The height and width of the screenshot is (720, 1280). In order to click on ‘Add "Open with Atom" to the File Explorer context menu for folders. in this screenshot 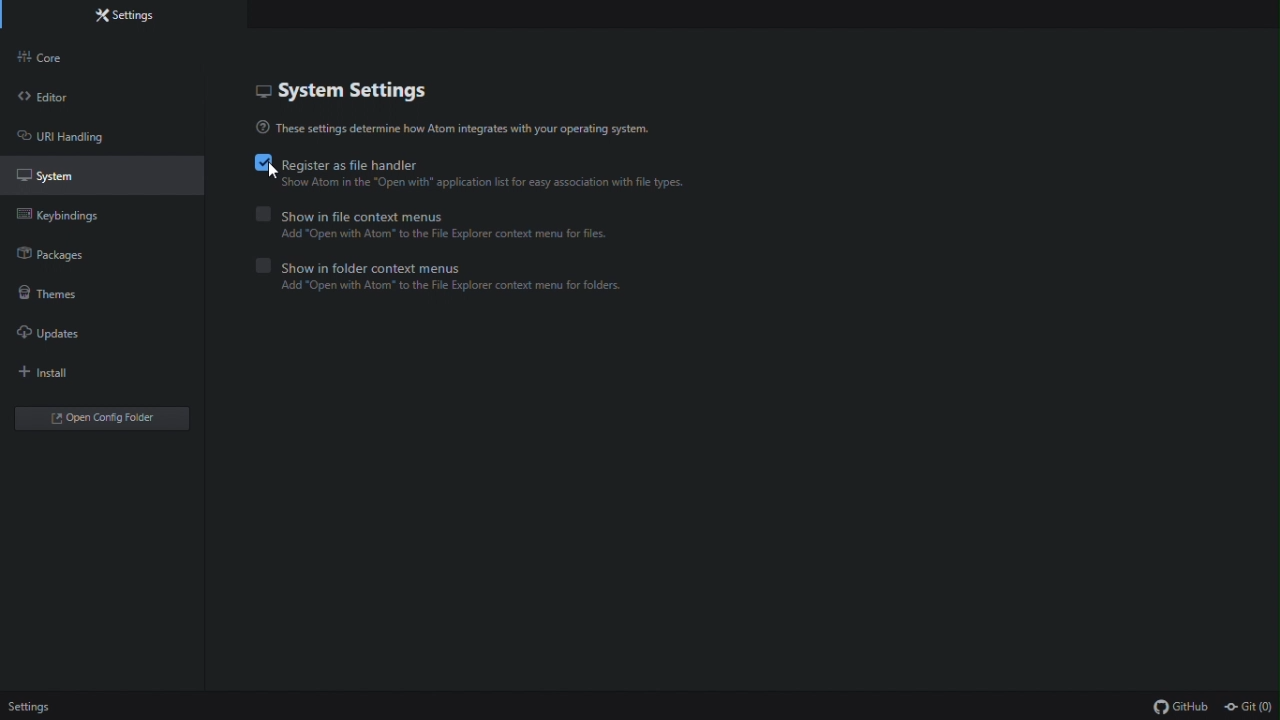, I will do `click(459, 289)`.